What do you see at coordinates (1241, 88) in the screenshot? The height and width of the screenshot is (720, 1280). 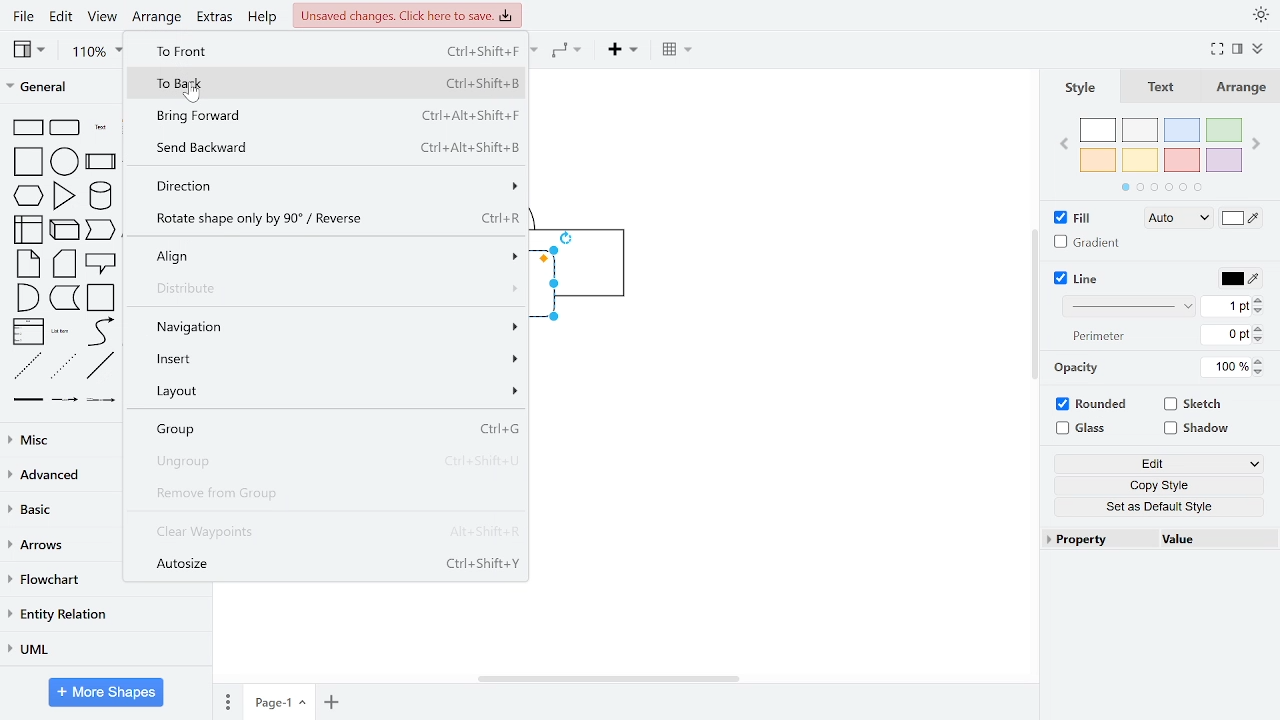 I see `arrange` at bounding box center [1241, 88].